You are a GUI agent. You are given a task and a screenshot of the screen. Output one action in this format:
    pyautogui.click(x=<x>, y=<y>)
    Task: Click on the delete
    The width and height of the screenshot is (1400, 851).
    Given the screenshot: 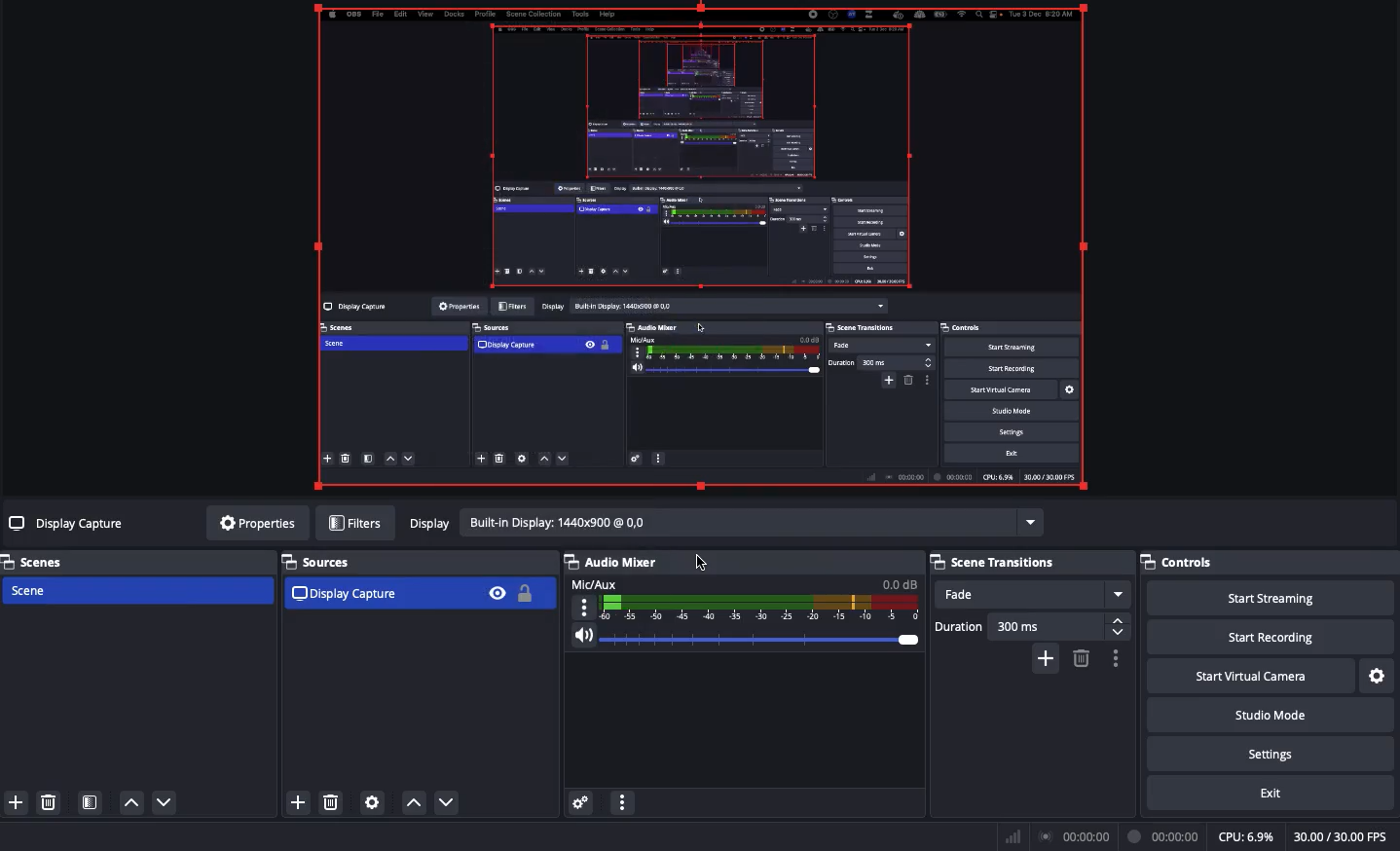 What is the action you would take?
    pyautogui.click(x=331, y=800)
    